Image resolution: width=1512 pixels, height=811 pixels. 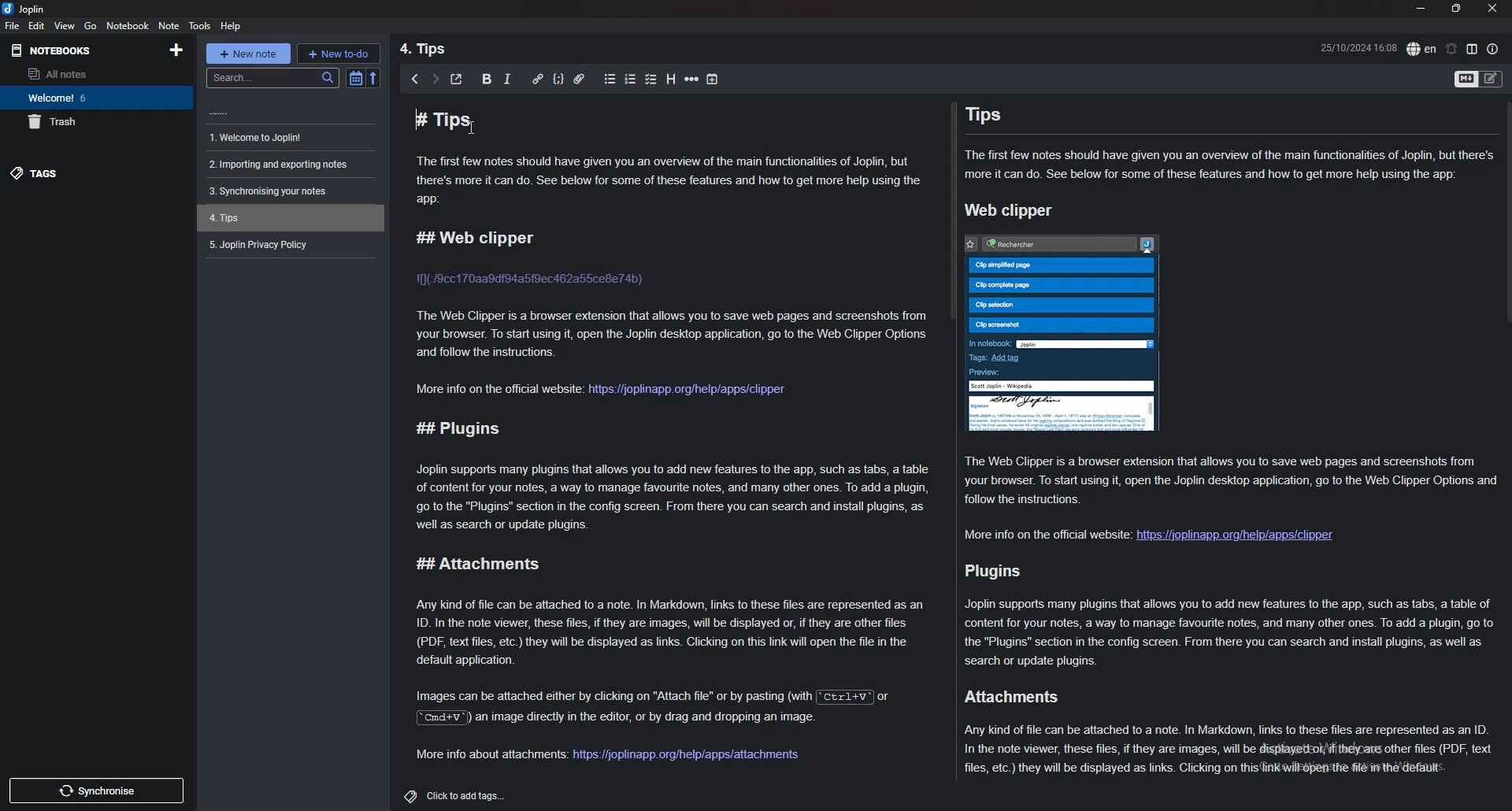 What do you see at coordinates (533, 77) in the screenshot?
I see `insert link` at bounding box center [533, 77].